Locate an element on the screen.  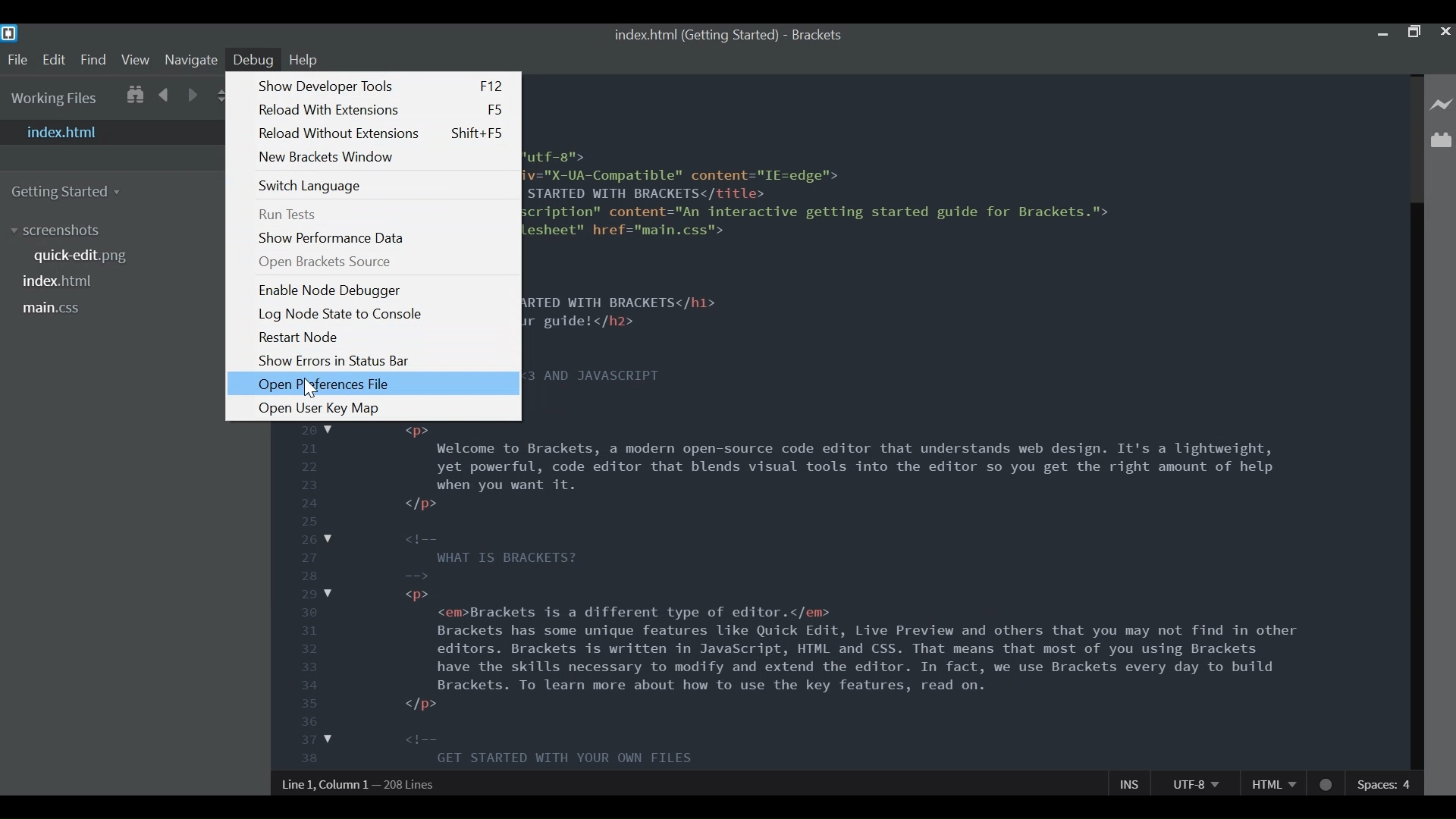
Edit is located at coordinates (54, 59).